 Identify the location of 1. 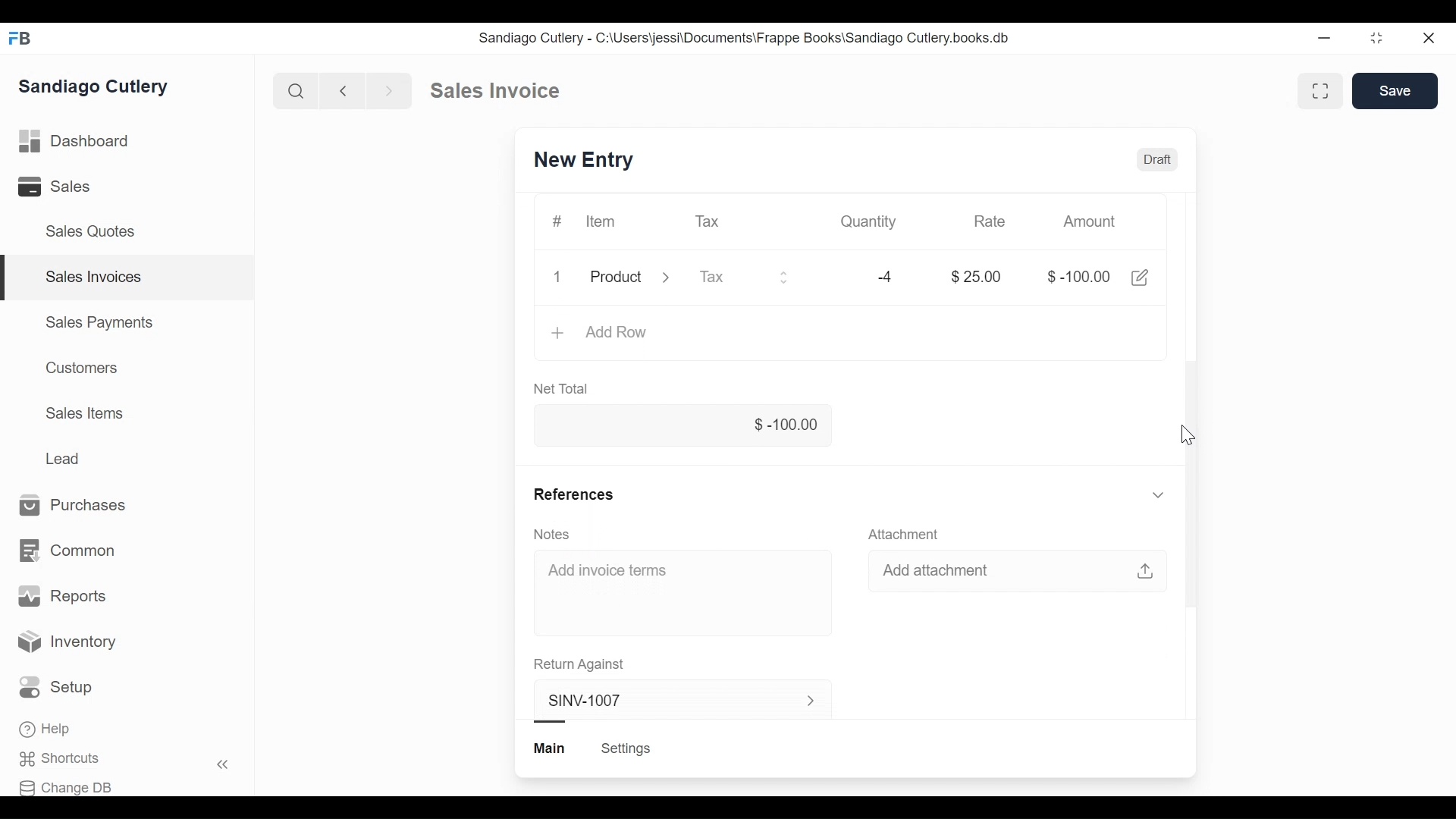
(555, 275).